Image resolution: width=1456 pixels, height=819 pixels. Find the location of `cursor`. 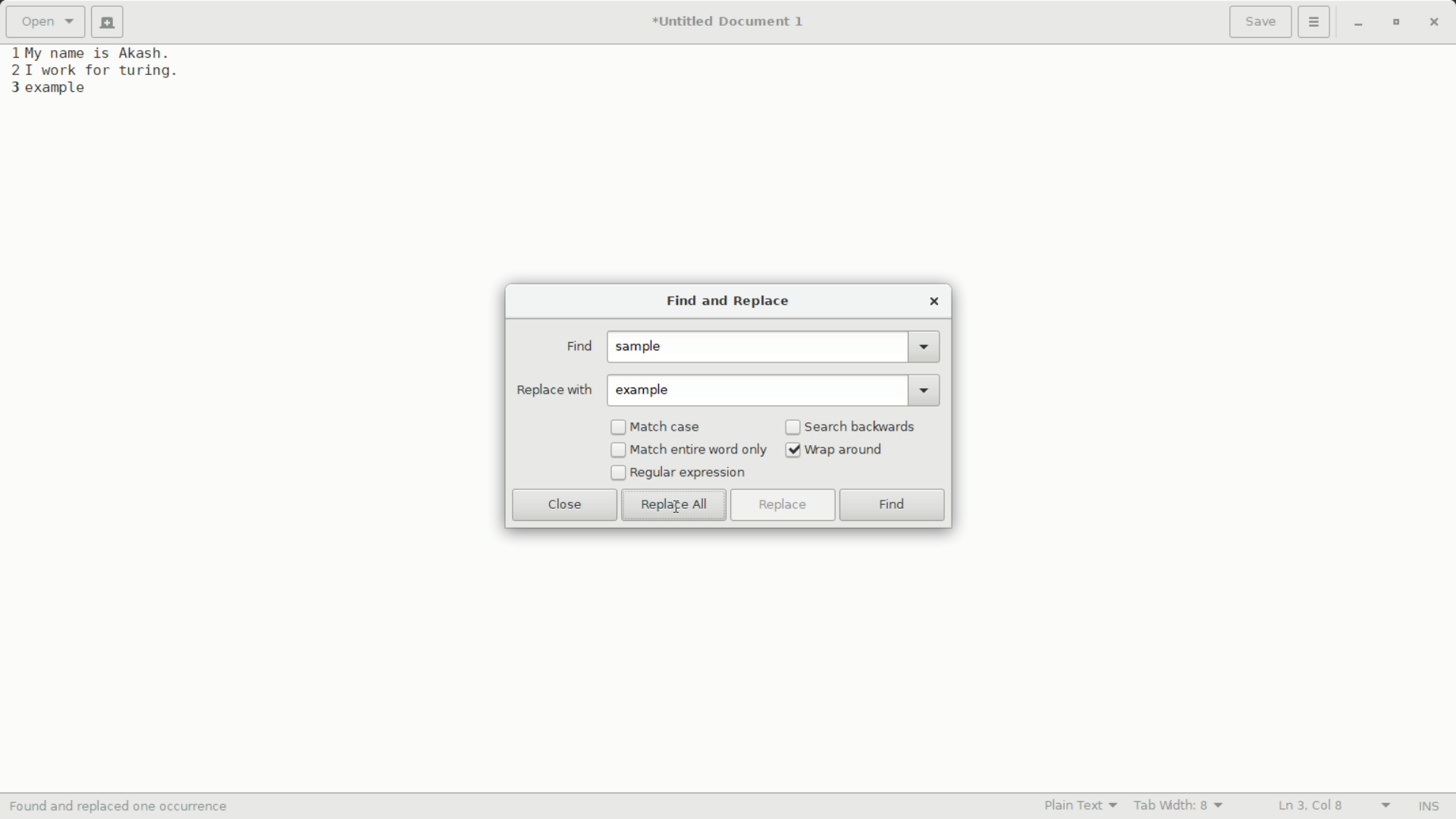

cursor is located at coordinates (677, 505).